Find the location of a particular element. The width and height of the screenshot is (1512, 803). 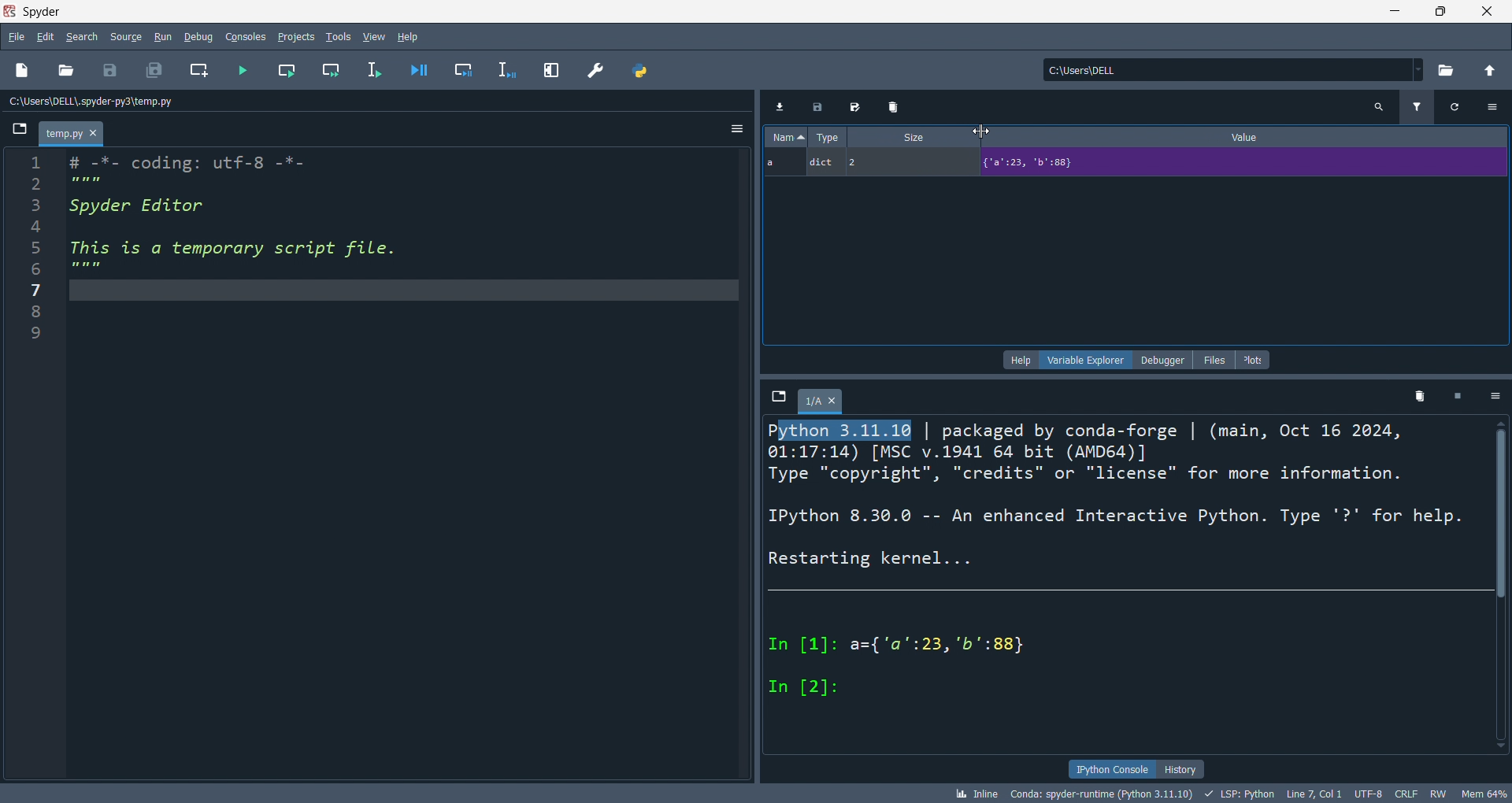

preferences is located at coordinates (593, 67).